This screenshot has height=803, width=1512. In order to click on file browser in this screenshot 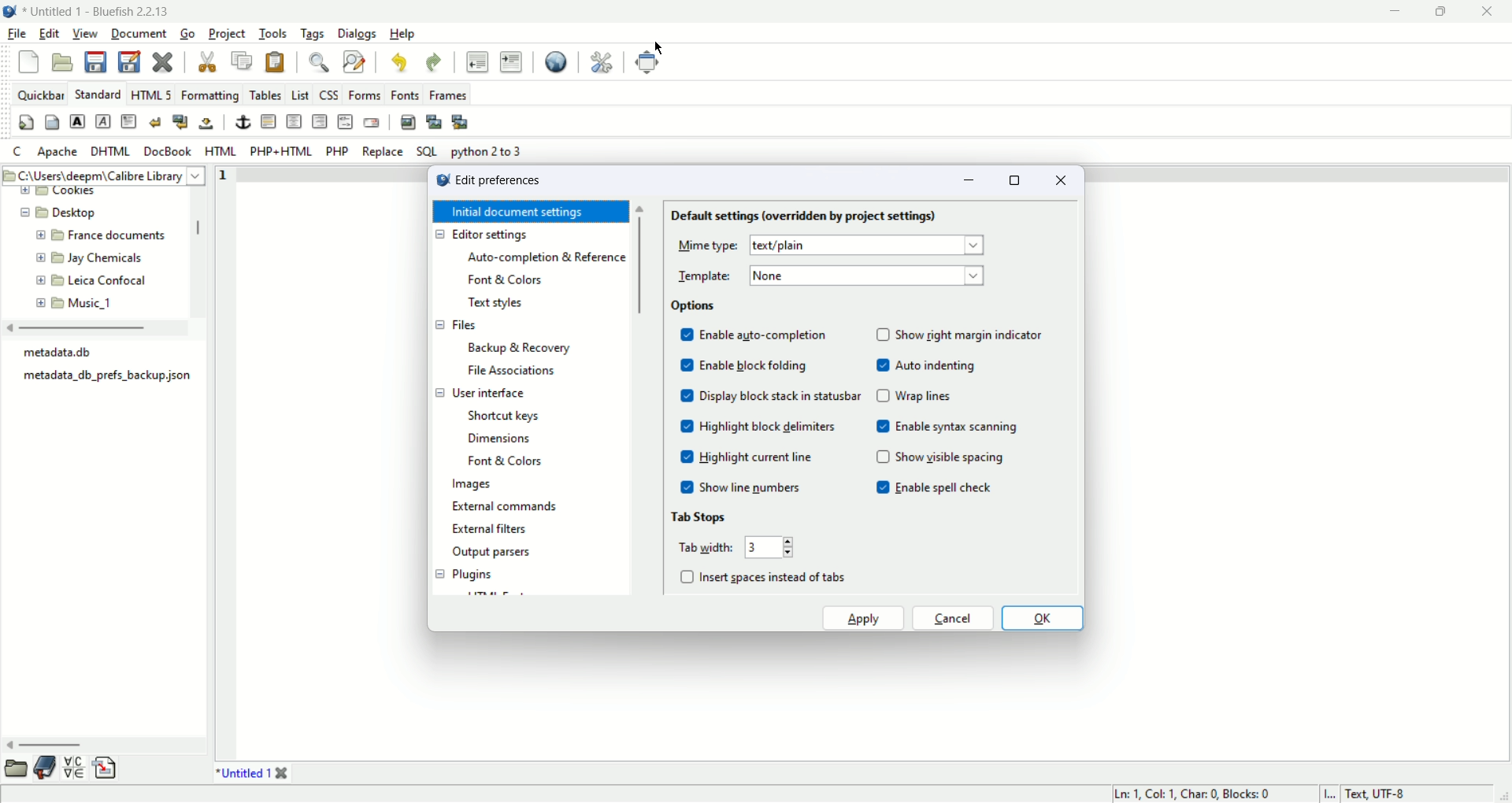, I will do `click(16, 768)`.